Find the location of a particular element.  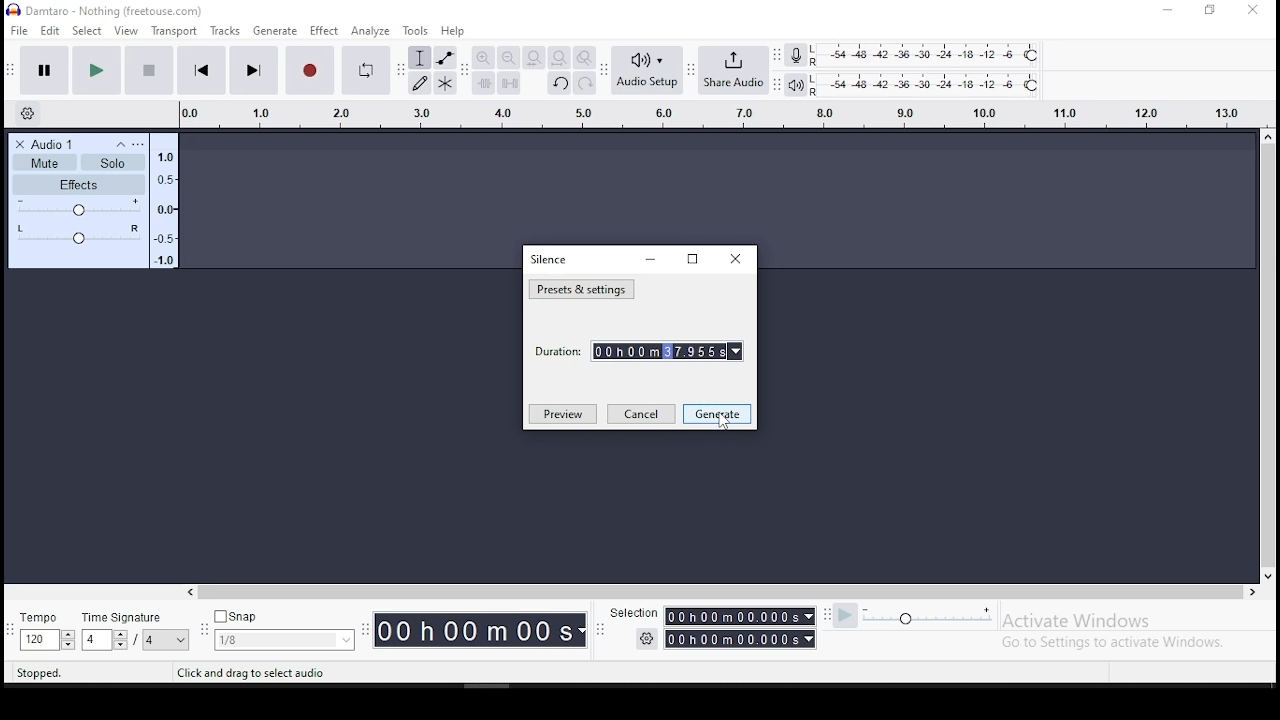

close window is located at coordinates (1255, 10).